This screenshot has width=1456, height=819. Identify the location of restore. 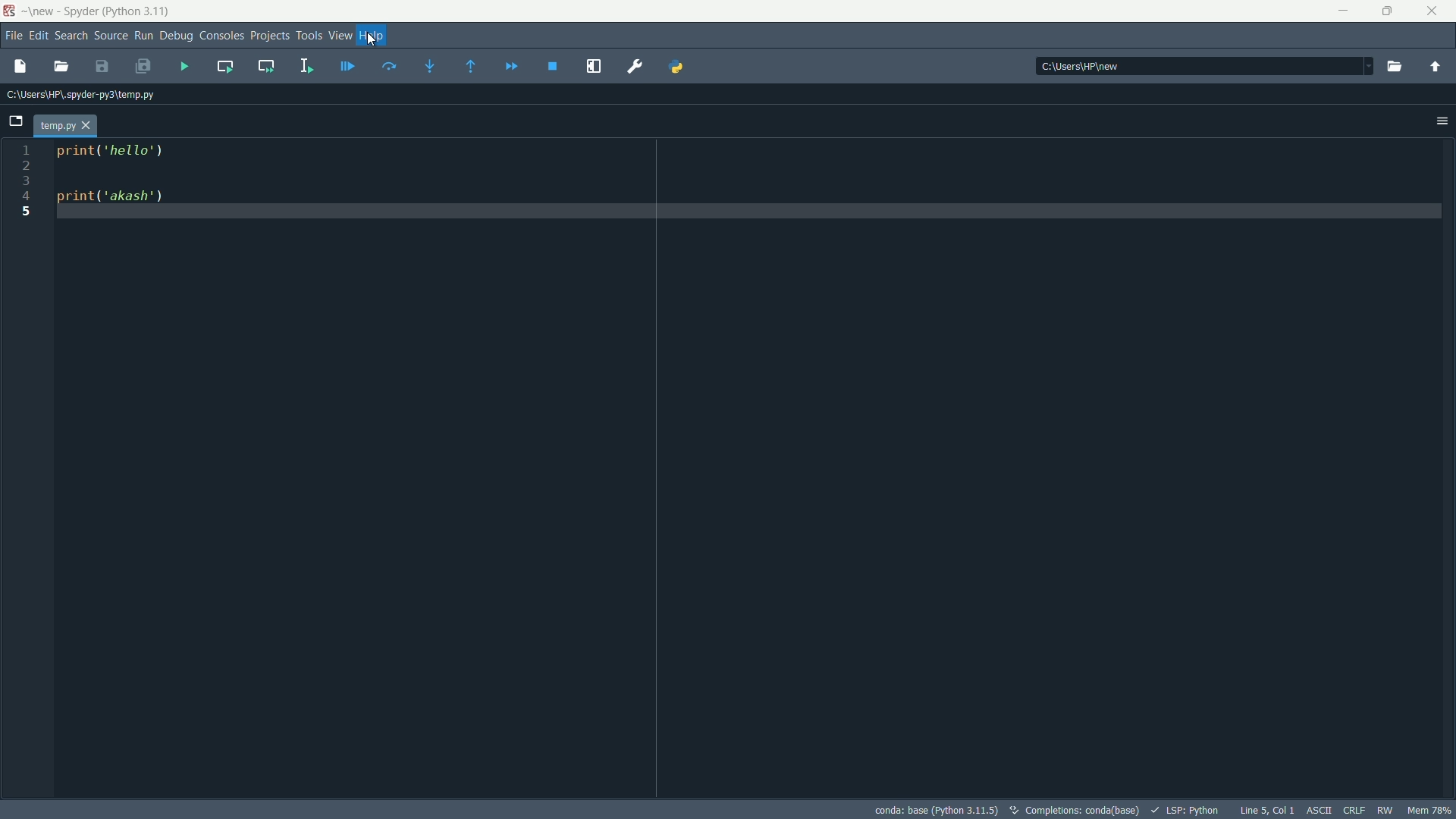
(1386, 9).